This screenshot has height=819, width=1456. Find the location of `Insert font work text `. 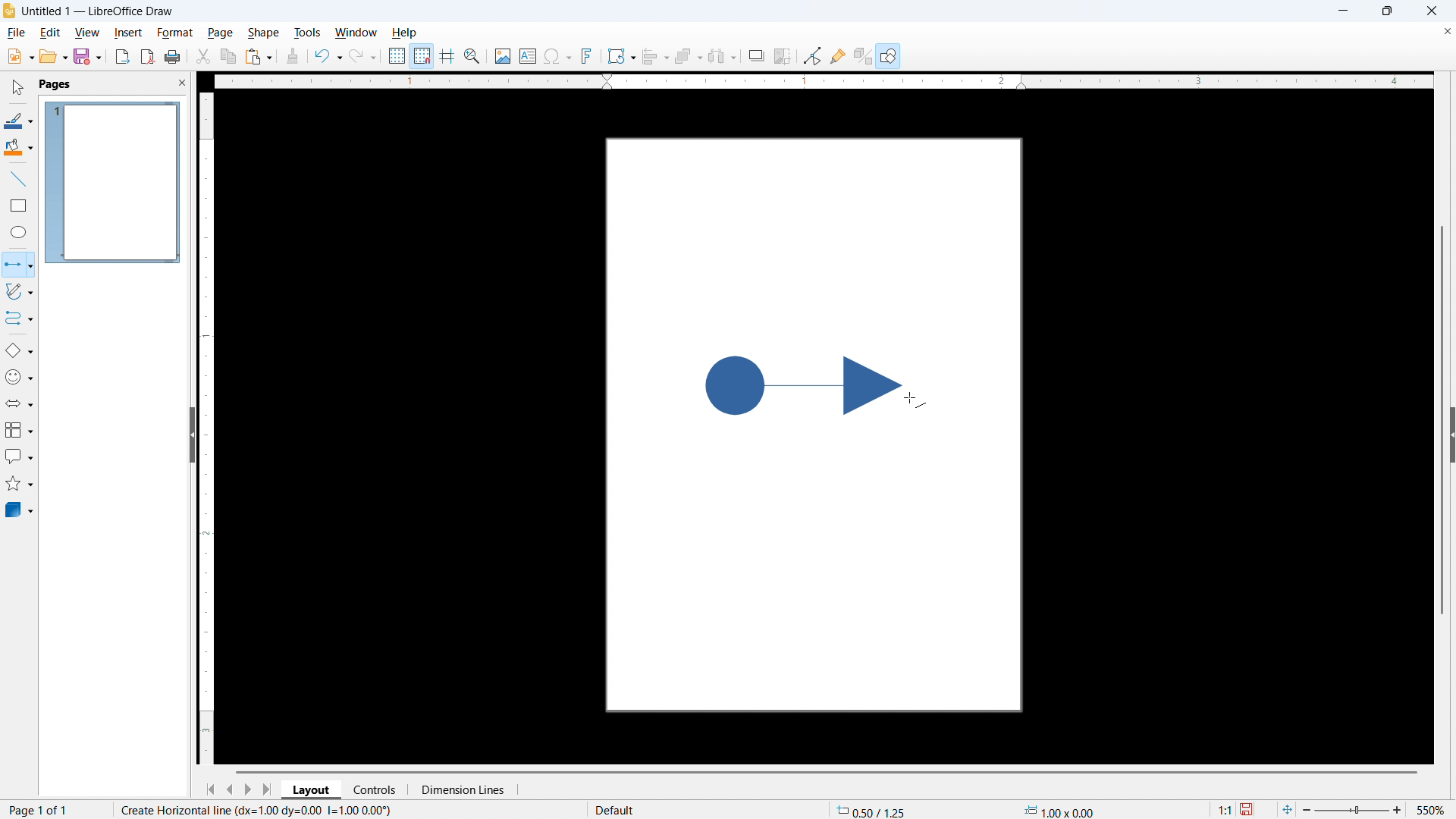

Insert font work text  is located at coordinates (587, 55).